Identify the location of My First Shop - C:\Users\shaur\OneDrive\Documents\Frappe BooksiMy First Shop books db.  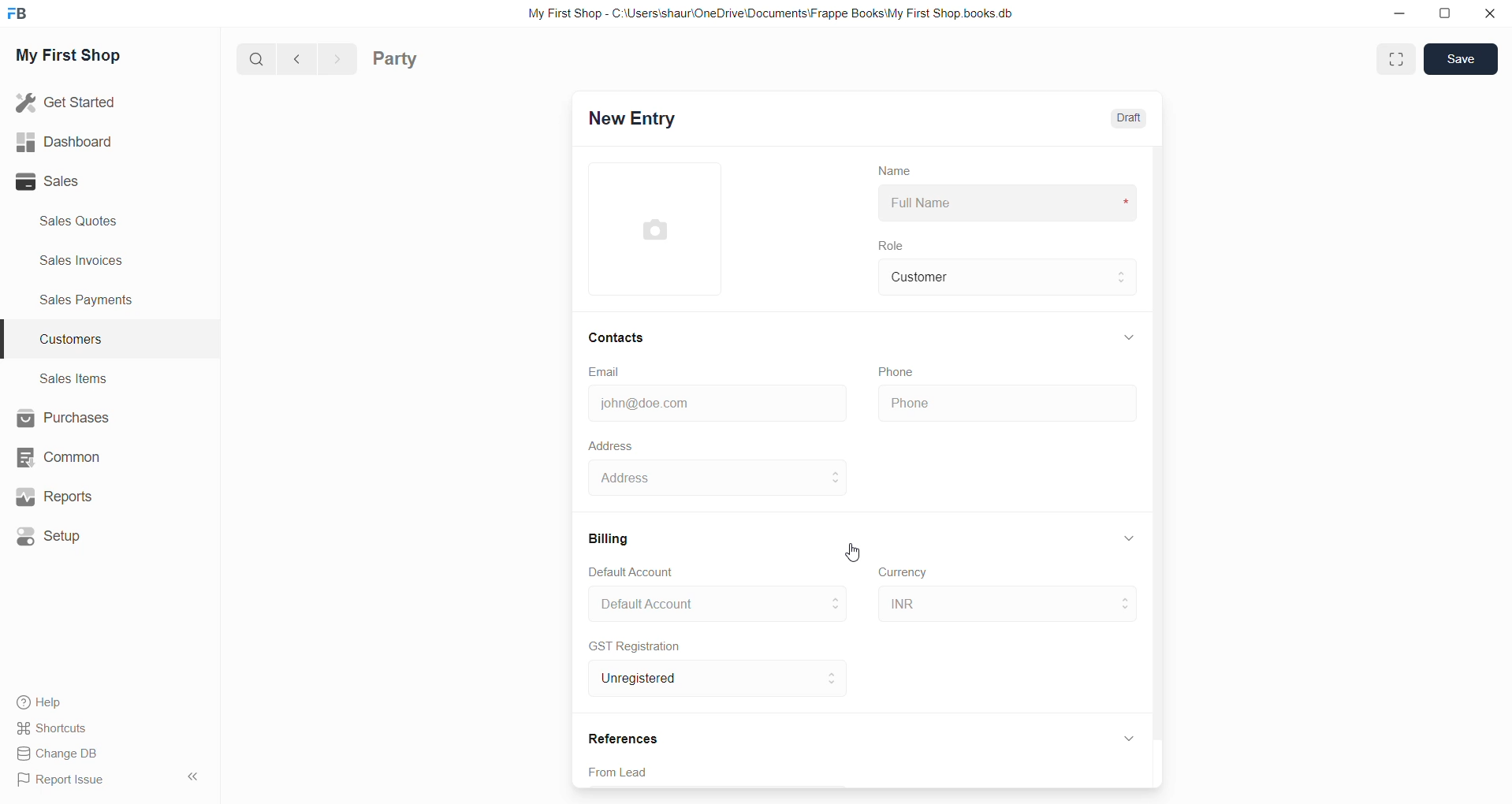
(763, 13).